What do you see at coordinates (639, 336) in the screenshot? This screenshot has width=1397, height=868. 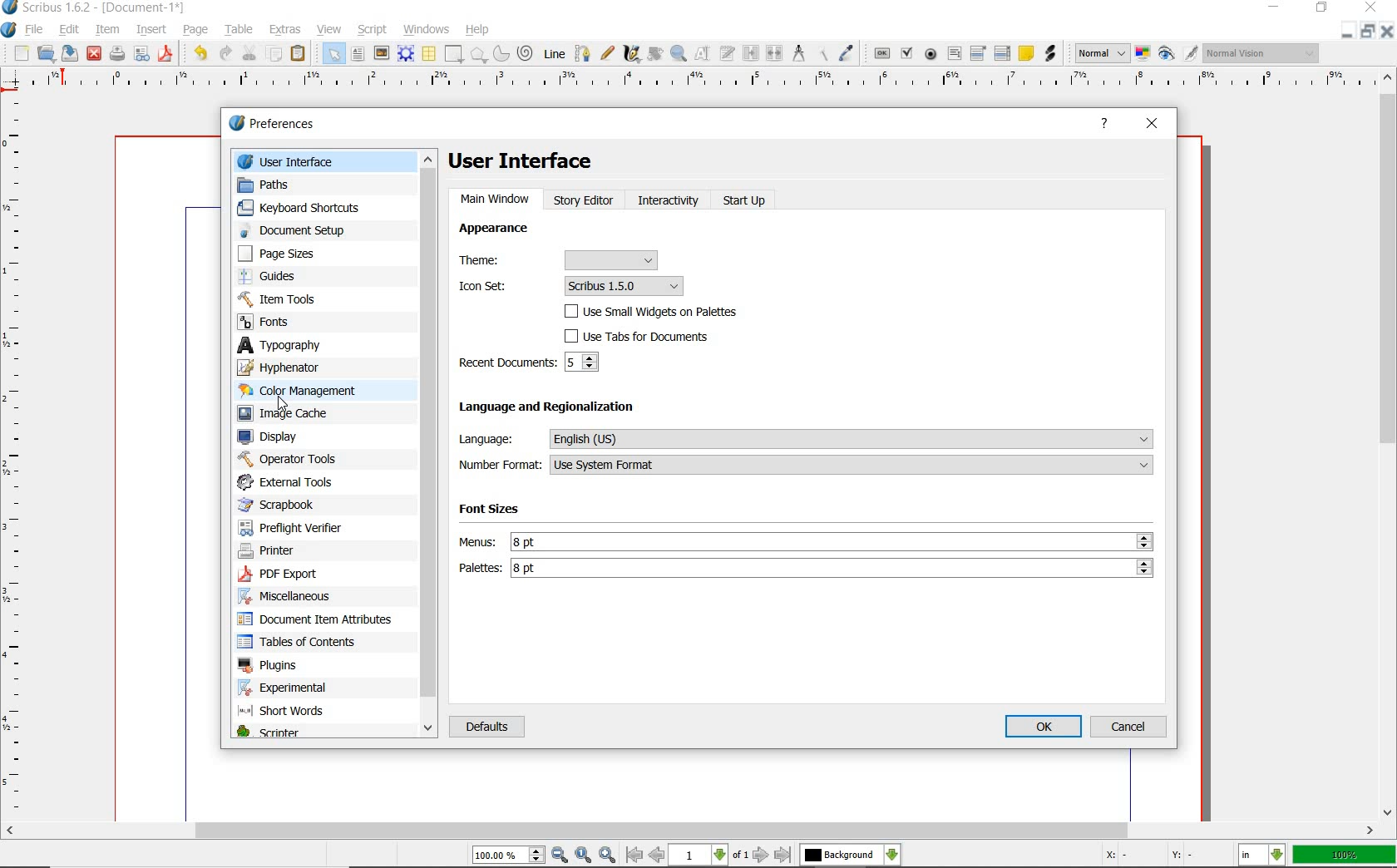 I see `USE TABS FOR DOCUMENTS` at bounding box center [639, 336].